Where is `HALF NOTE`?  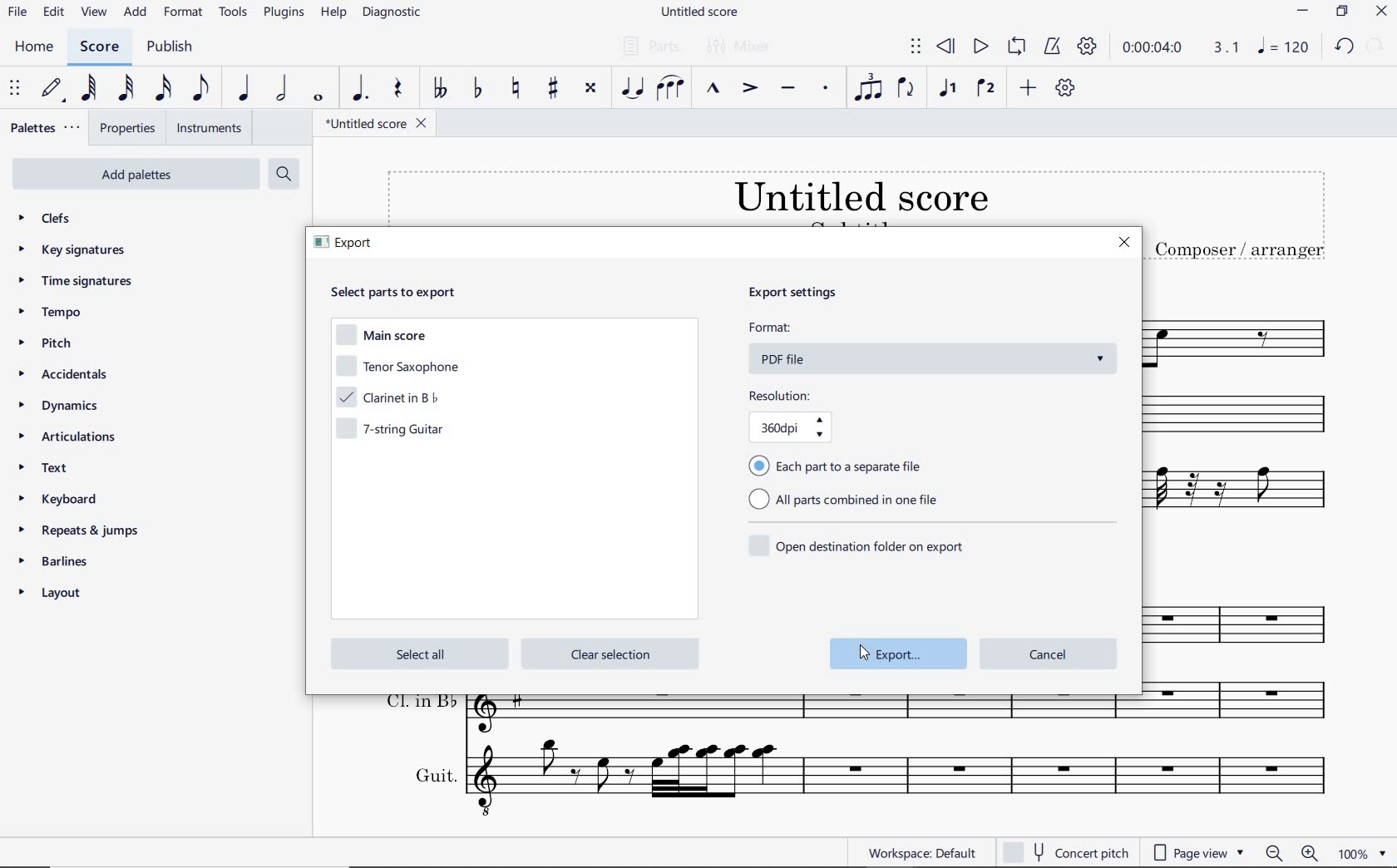
HALF NOTE is located at coordinates (282, 90).